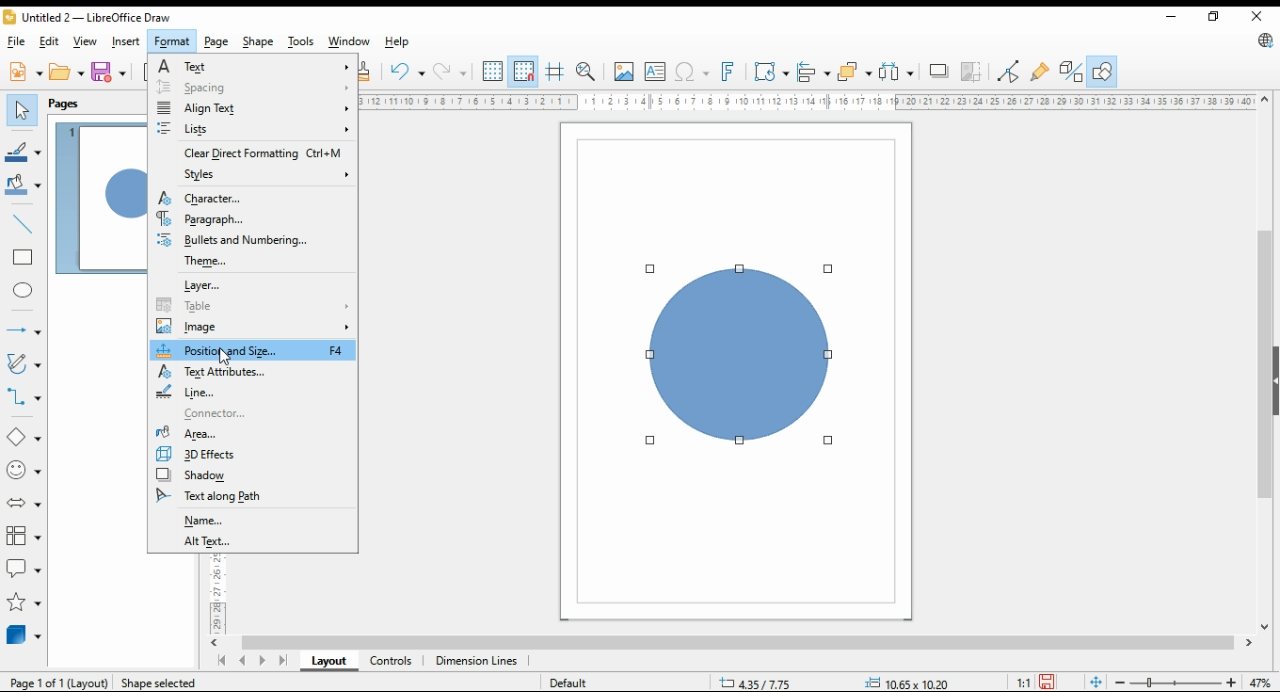  Describe the element at coordinates (759, 684) in the screenshot. I see `9.98/12.79` at that location.